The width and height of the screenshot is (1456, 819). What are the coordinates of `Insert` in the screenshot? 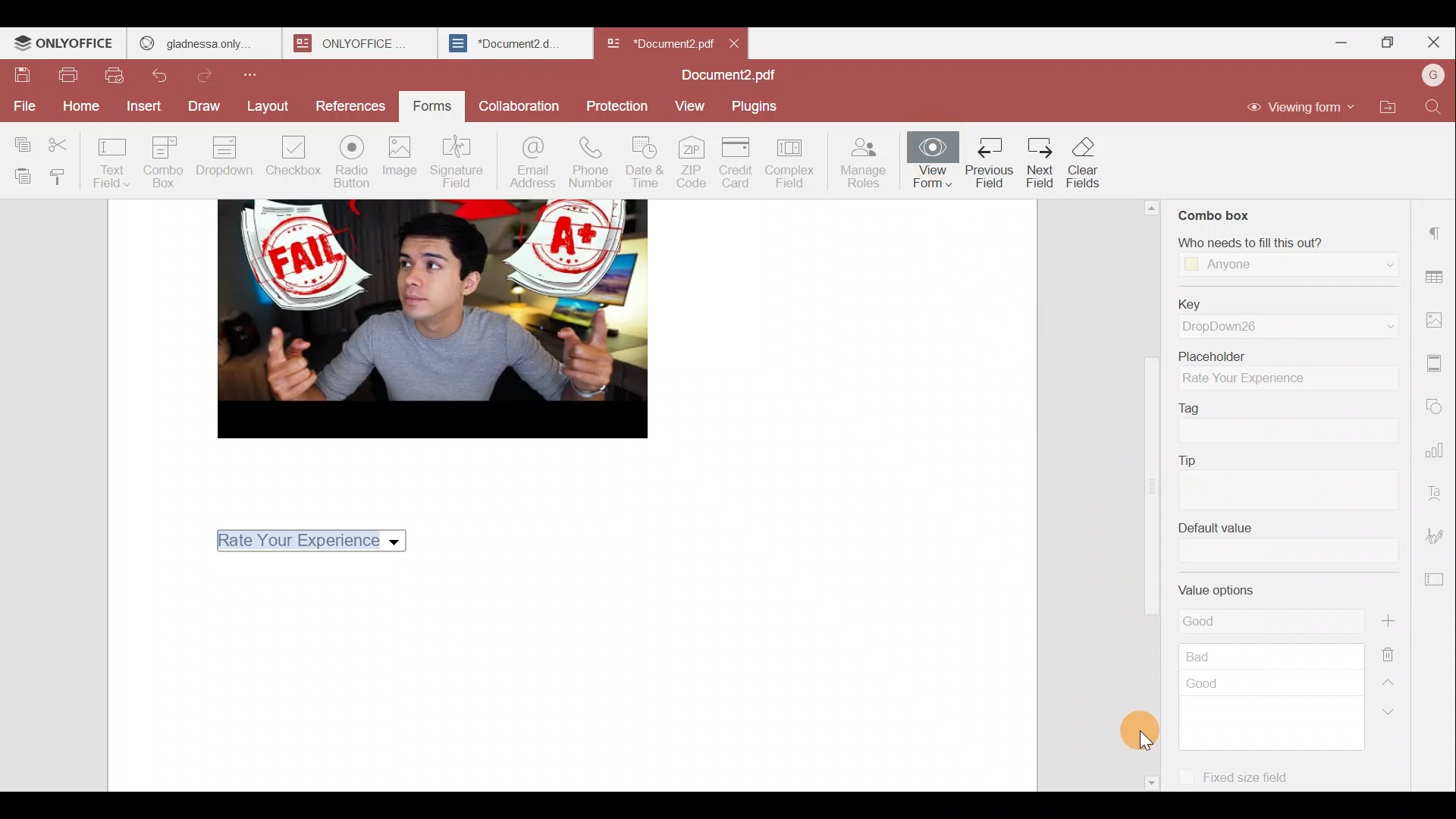 It's located at (140, 106).